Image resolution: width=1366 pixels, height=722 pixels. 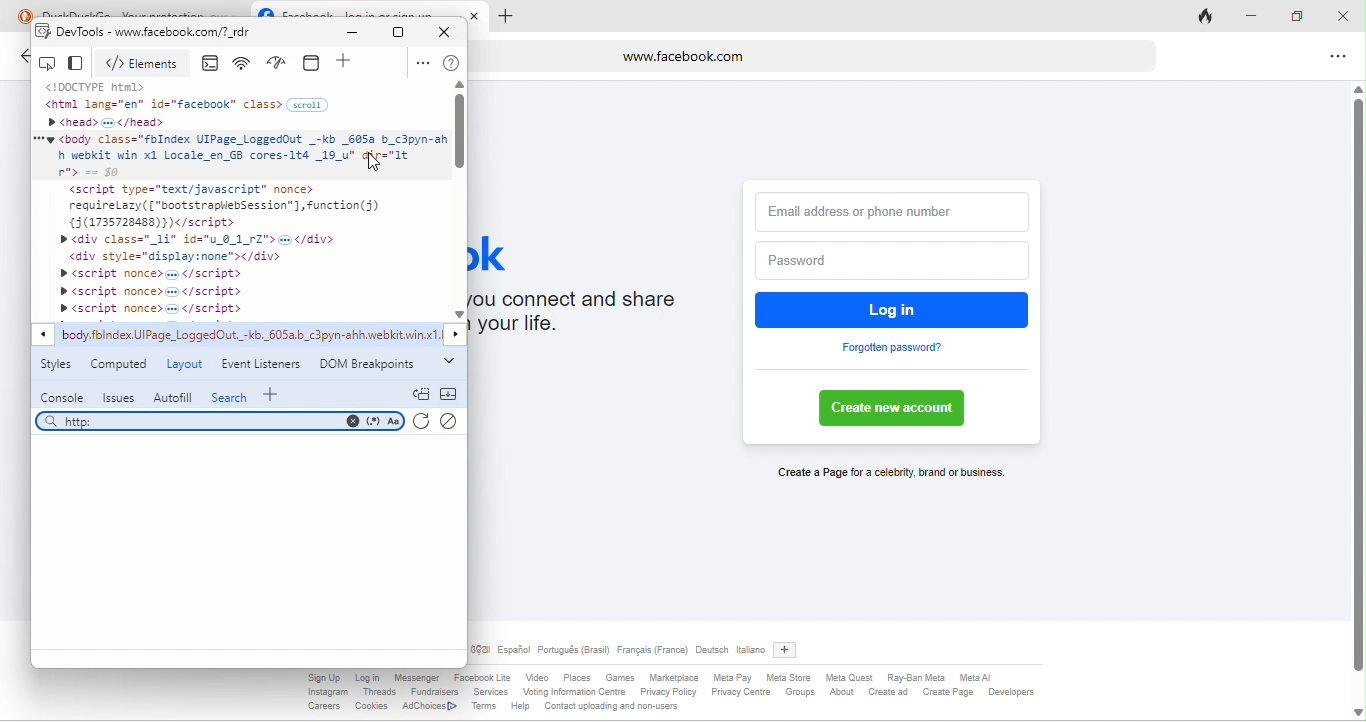 I want to click on performance, so click(x=281, y=63).